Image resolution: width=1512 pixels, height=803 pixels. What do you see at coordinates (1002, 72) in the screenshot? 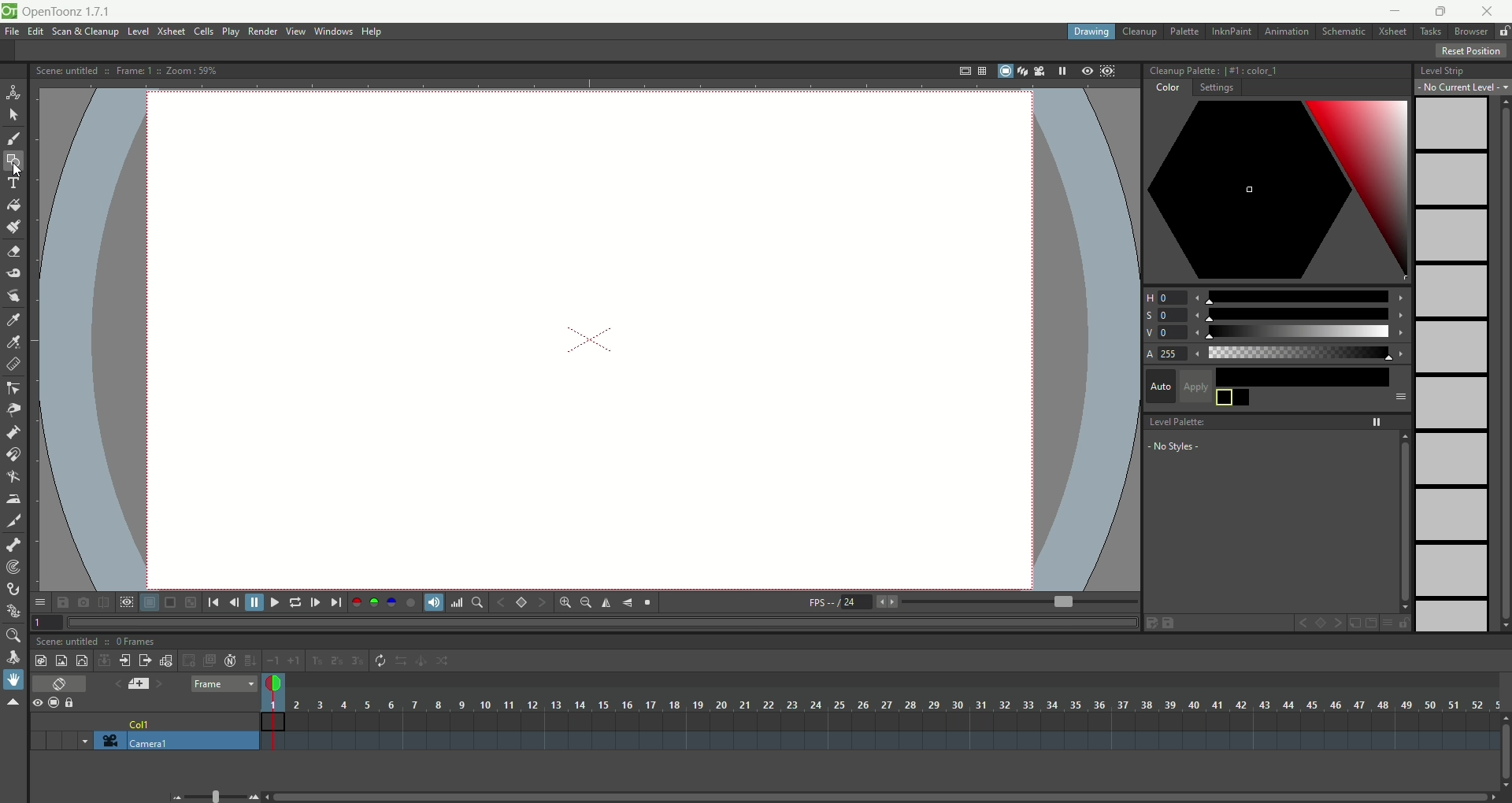
I see `camera stand view` at bounding box center [1002, 72].